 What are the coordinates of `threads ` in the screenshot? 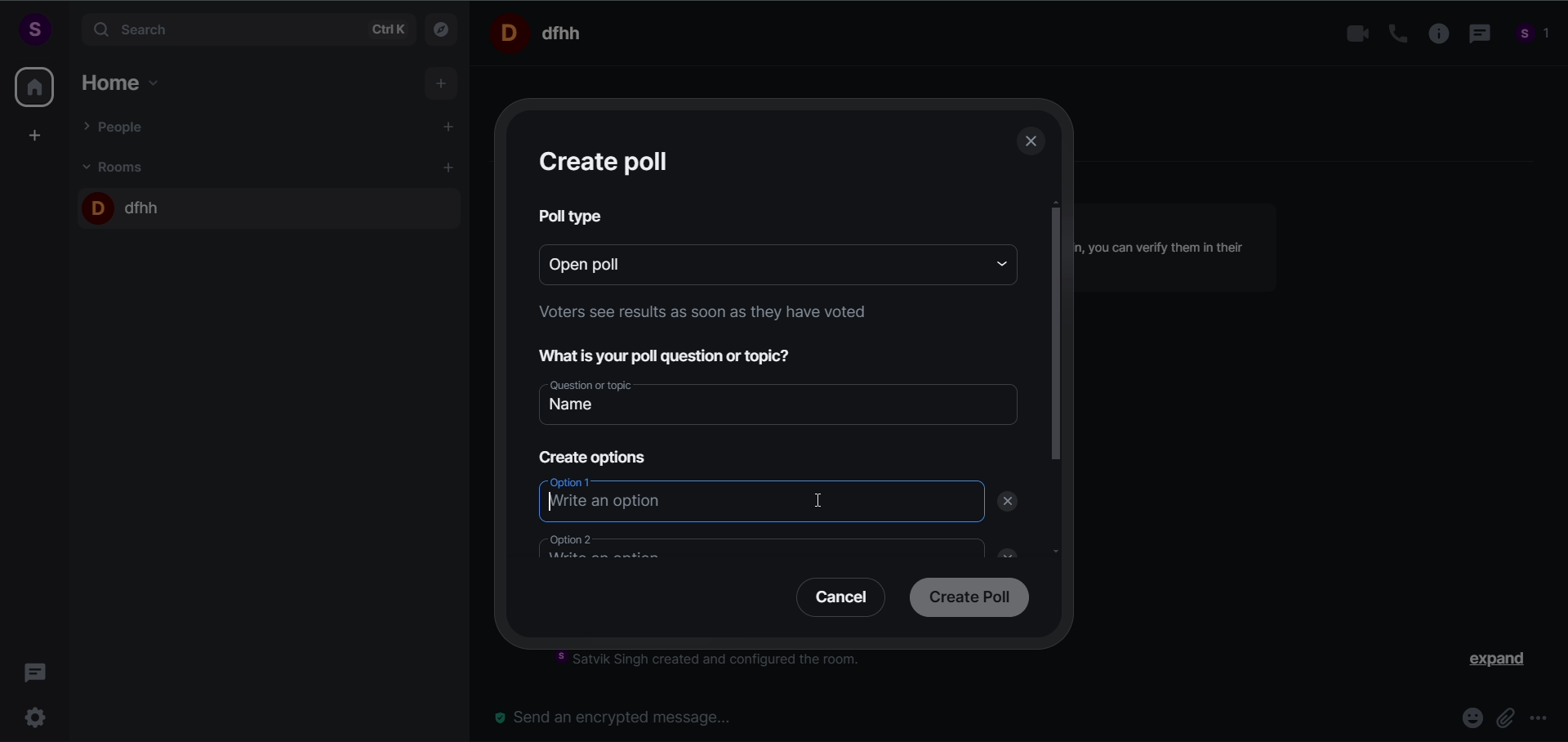 It's located at (36, 668).